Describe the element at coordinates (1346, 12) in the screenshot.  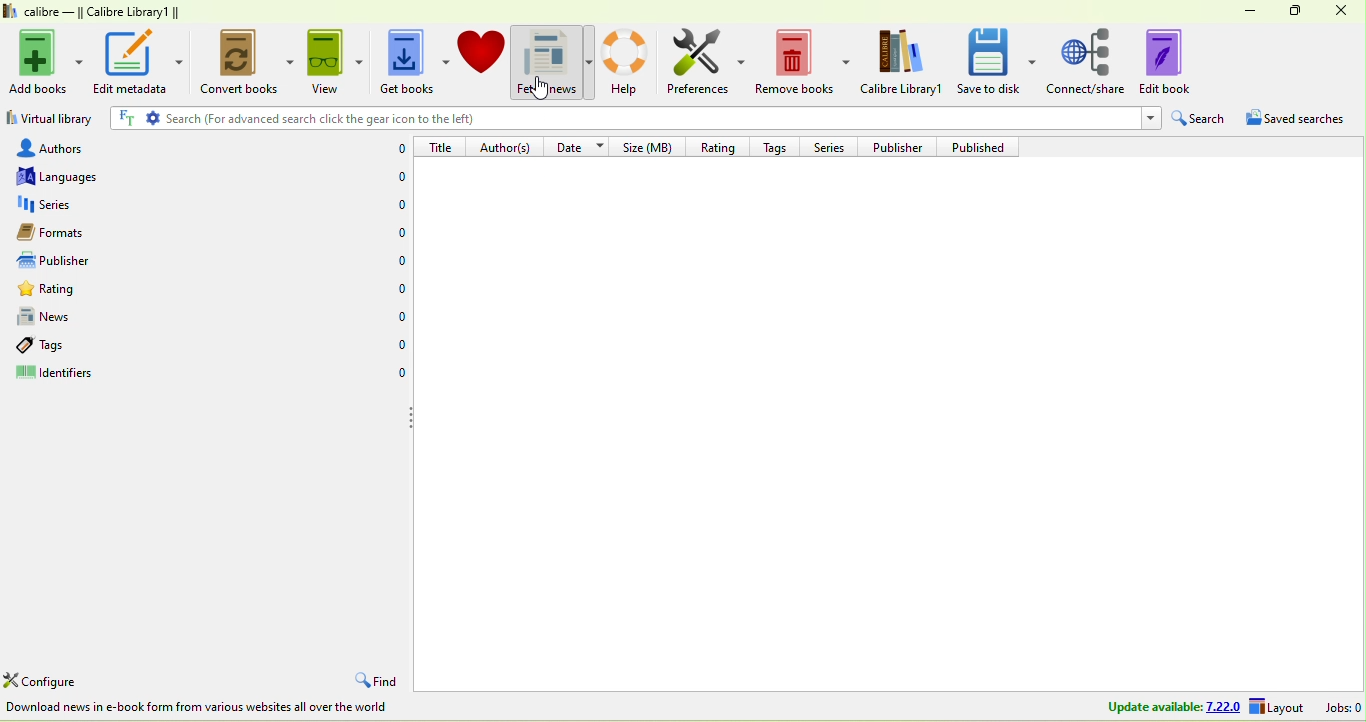
I see `close` at that location.